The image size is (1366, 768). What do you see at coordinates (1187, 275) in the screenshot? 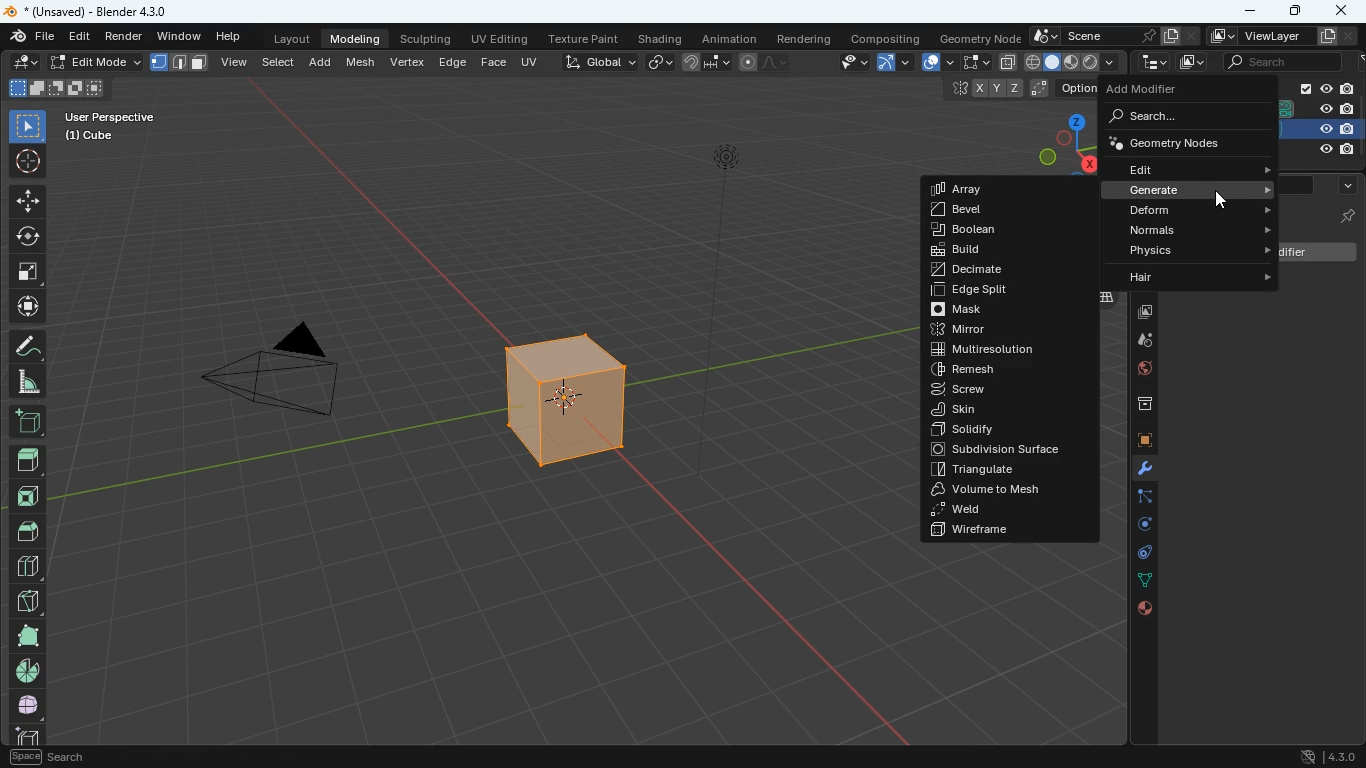
I see `hair` at bounding box center [1187, 275].